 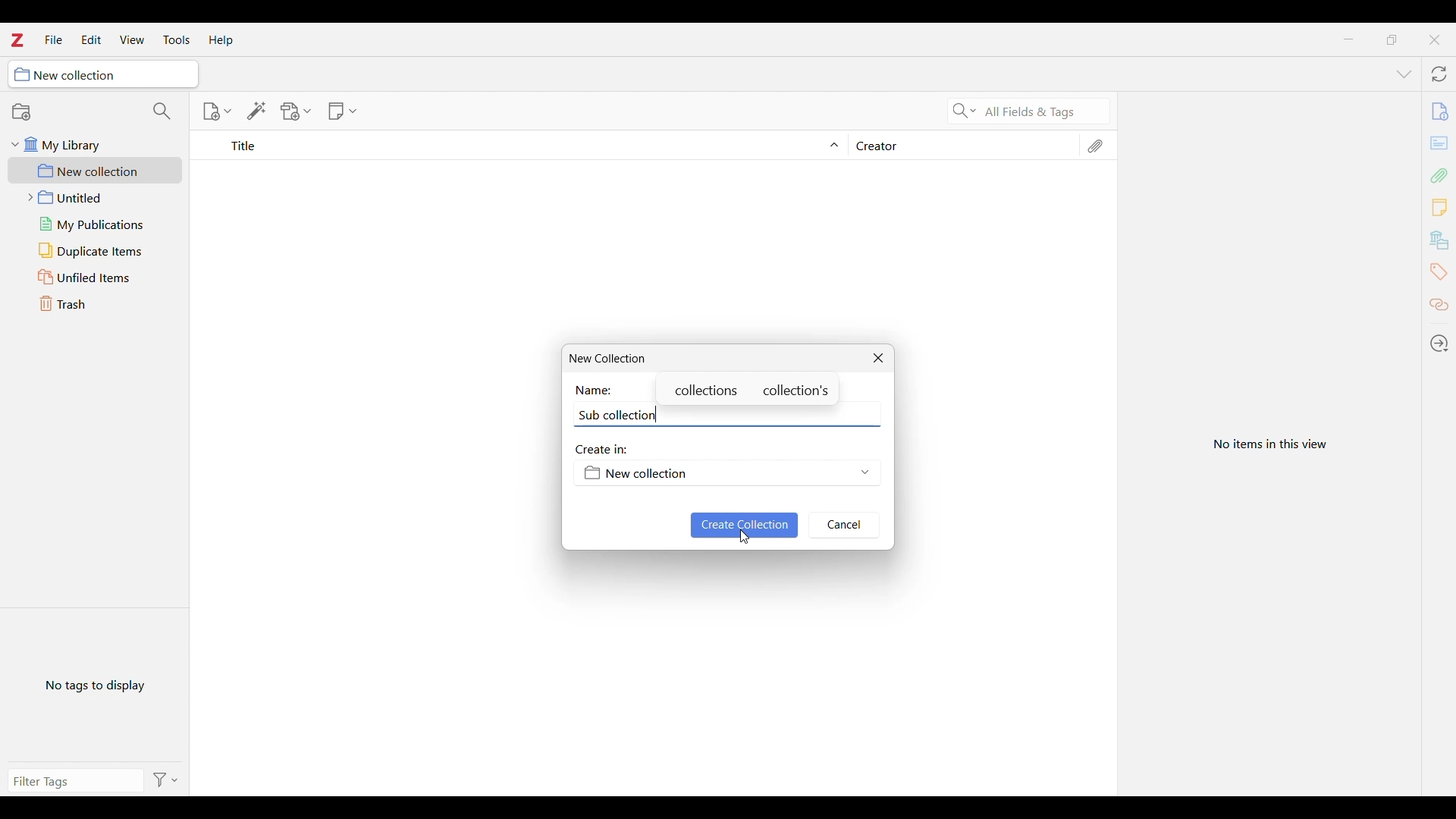 What do you see at coordinates (1440, 175) in the screenshot?
I see `Add attachment ` at bounding box center [1440, 175].